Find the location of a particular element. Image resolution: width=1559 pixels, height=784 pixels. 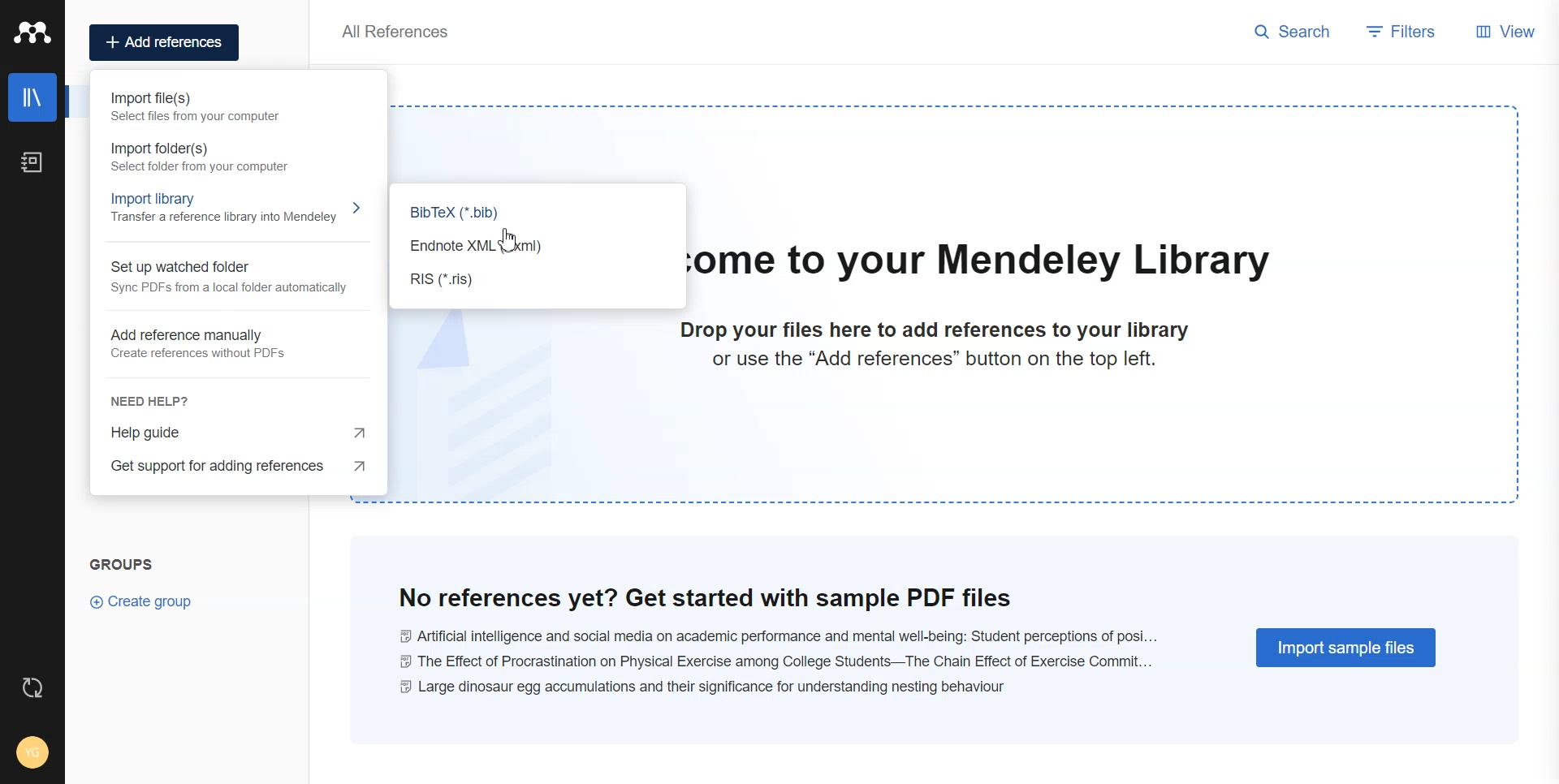

image doc is located at coordinates (525, 407).